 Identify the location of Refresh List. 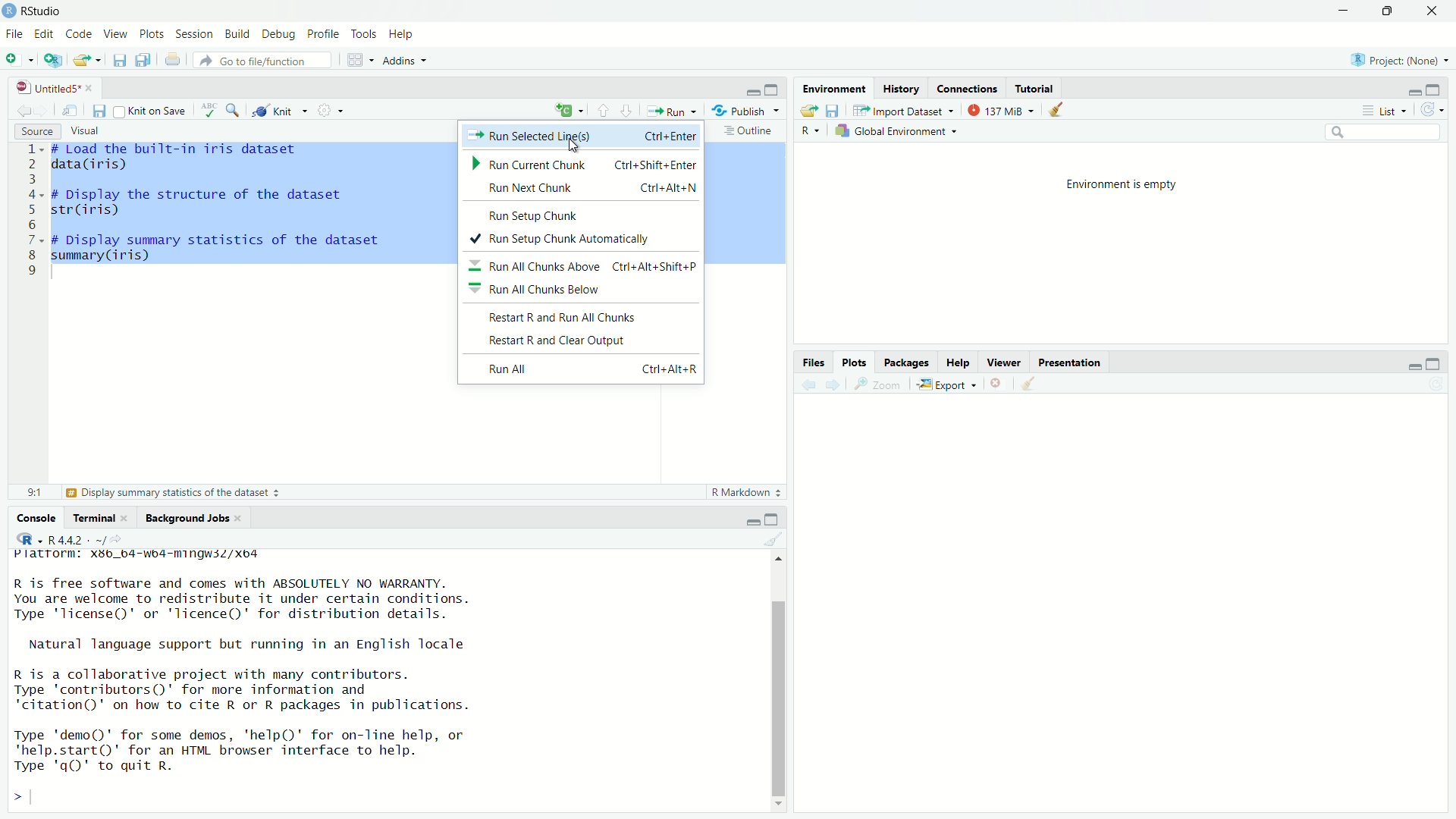
(1436, 384).